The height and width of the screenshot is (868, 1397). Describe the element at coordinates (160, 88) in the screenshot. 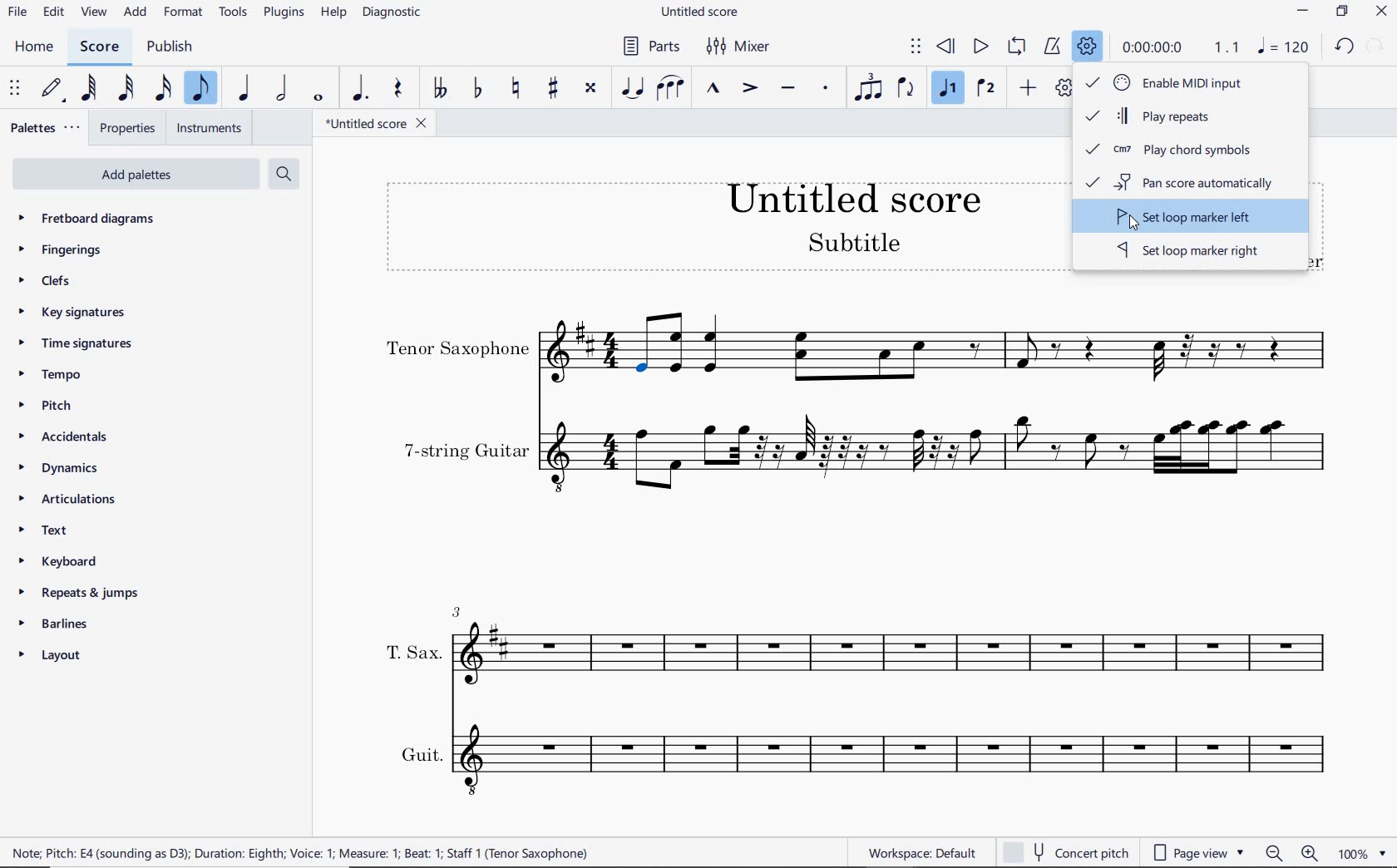

I see `16TH NOTE` at that location.